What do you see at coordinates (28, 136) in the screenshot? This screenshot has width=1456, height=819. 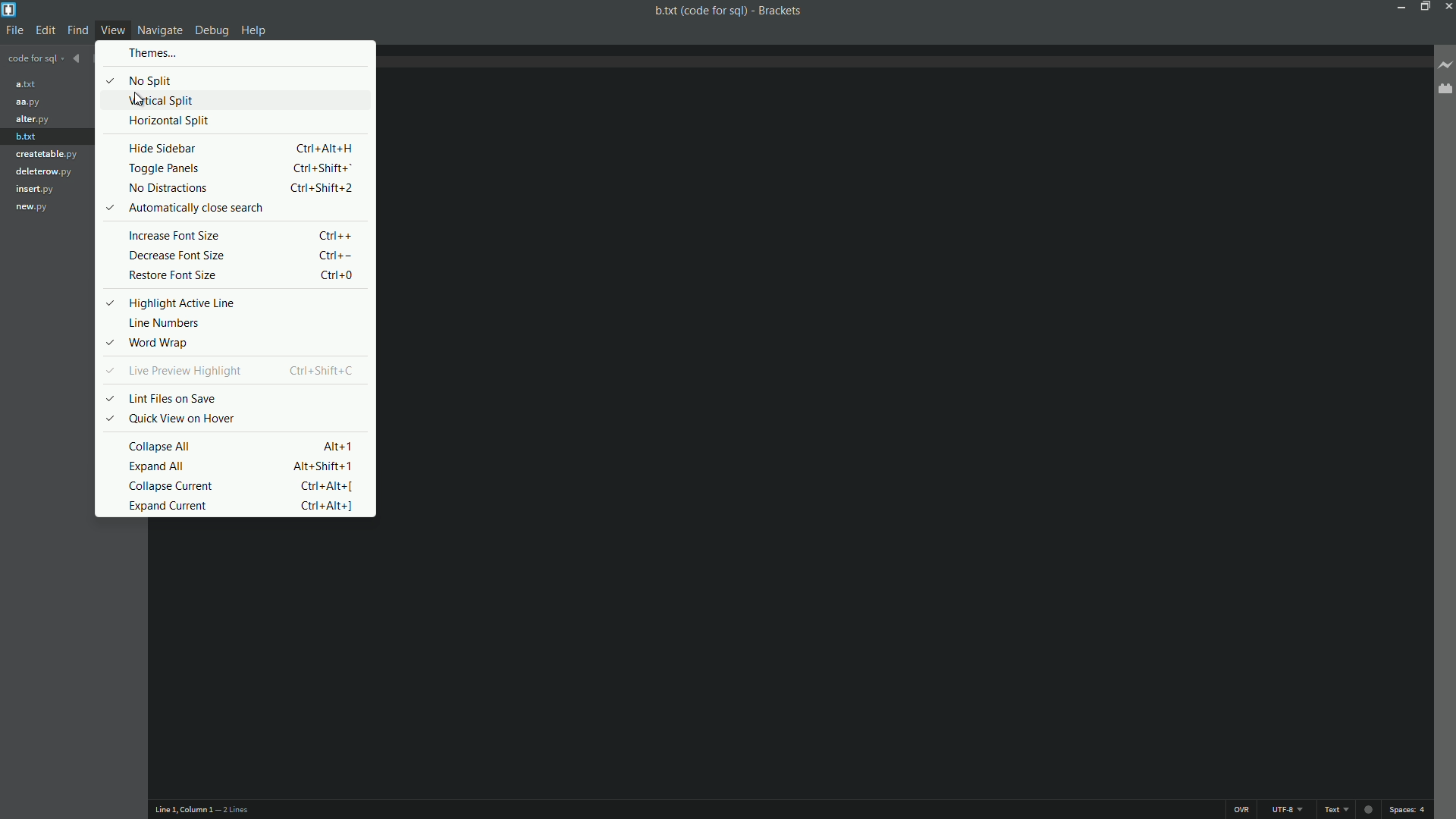 I see `b.txt` at bounding box center [28, 136].